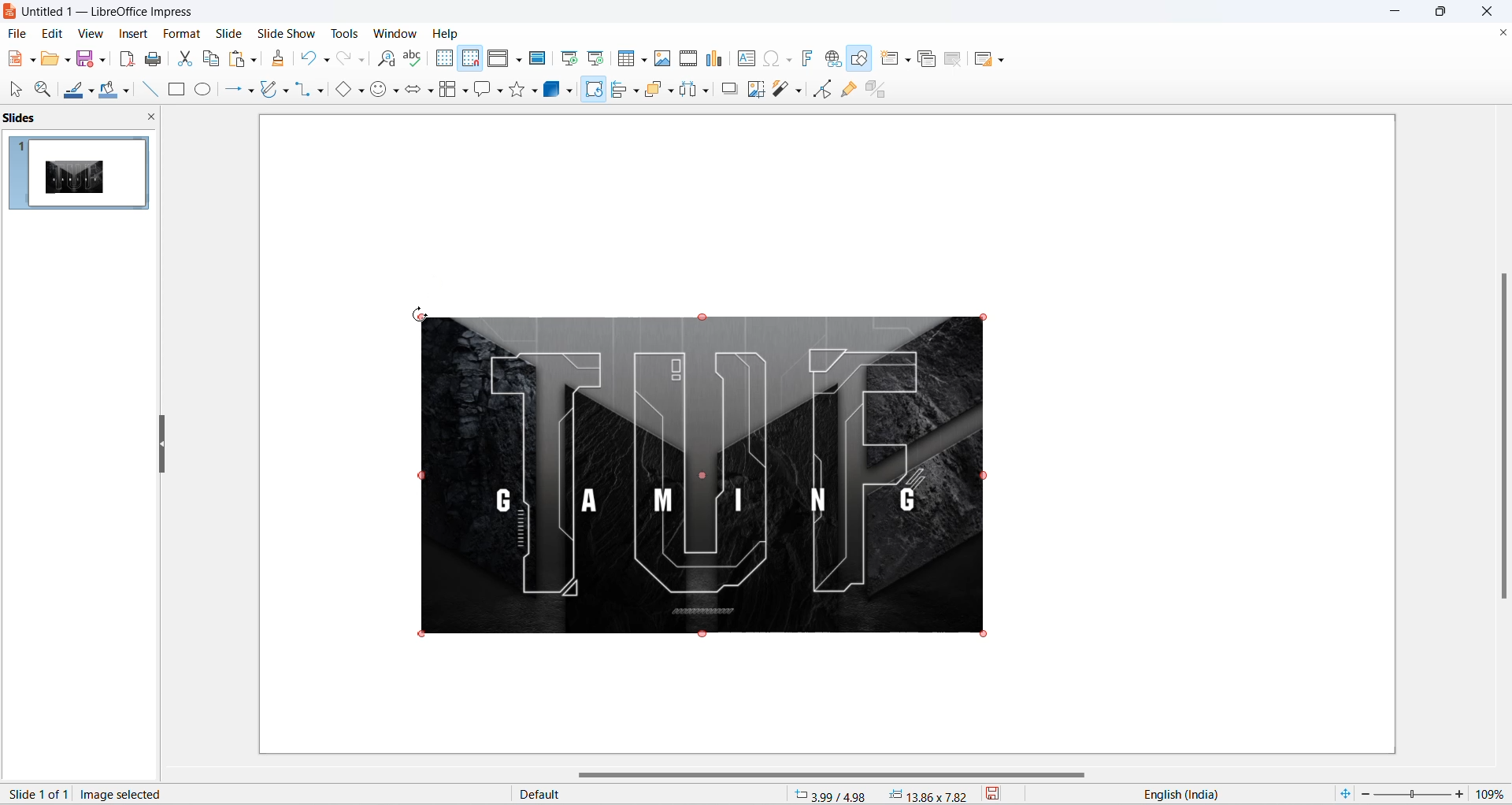 Image resolution: width=1512 pixels, height=805 pixels. Describe the element at coordinates (286, 92) in the screenshot. I see `curve and polygons` at that location.